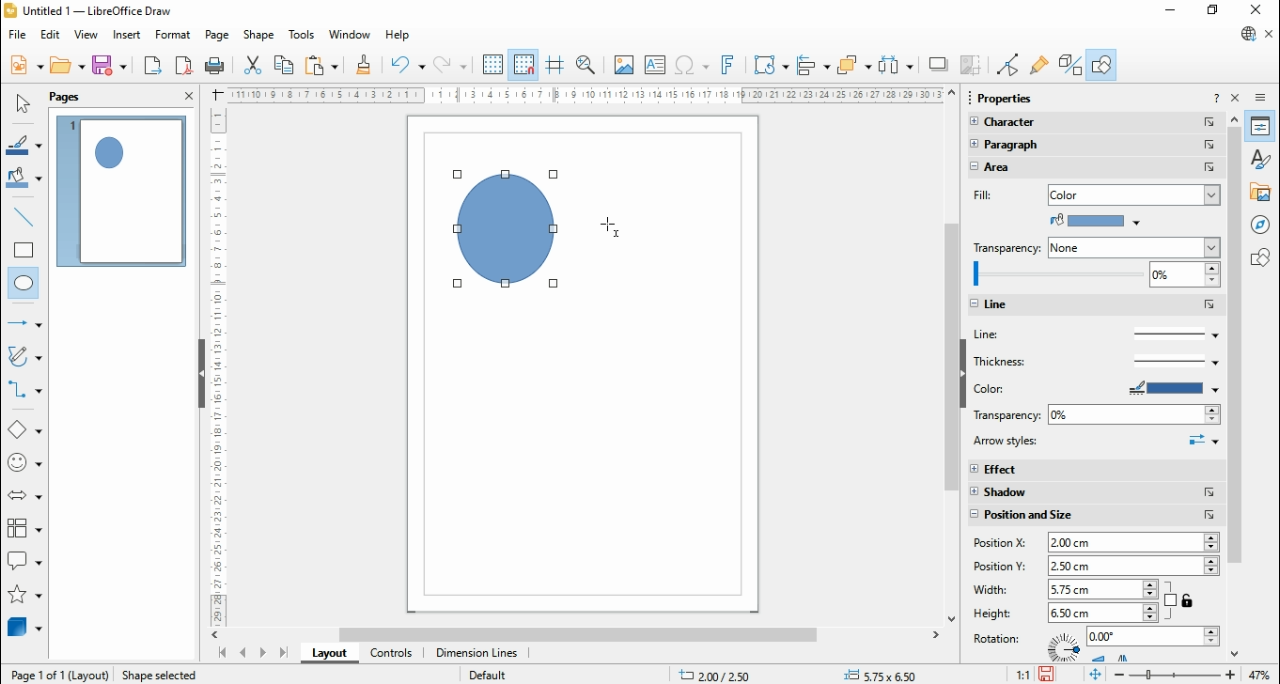 The image size is (1280, 684). What do you see at coordinates (654, 64) in the screenshot?
I see `insert text box` at bounding box center [654, 64].